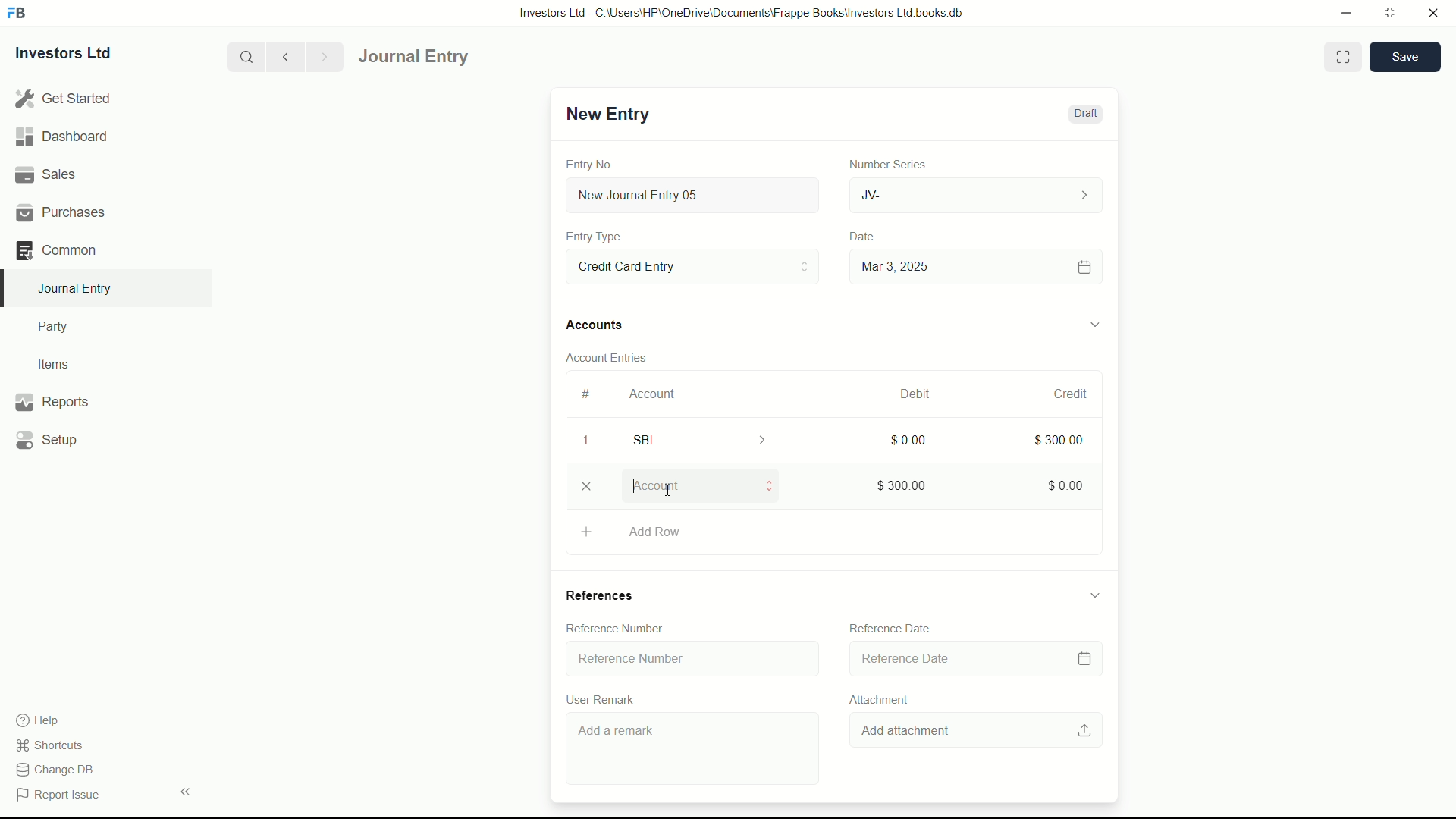 The height and width of the screenshot is (819, 1456). I want to click on Investors Ltd, so click(77, 55).